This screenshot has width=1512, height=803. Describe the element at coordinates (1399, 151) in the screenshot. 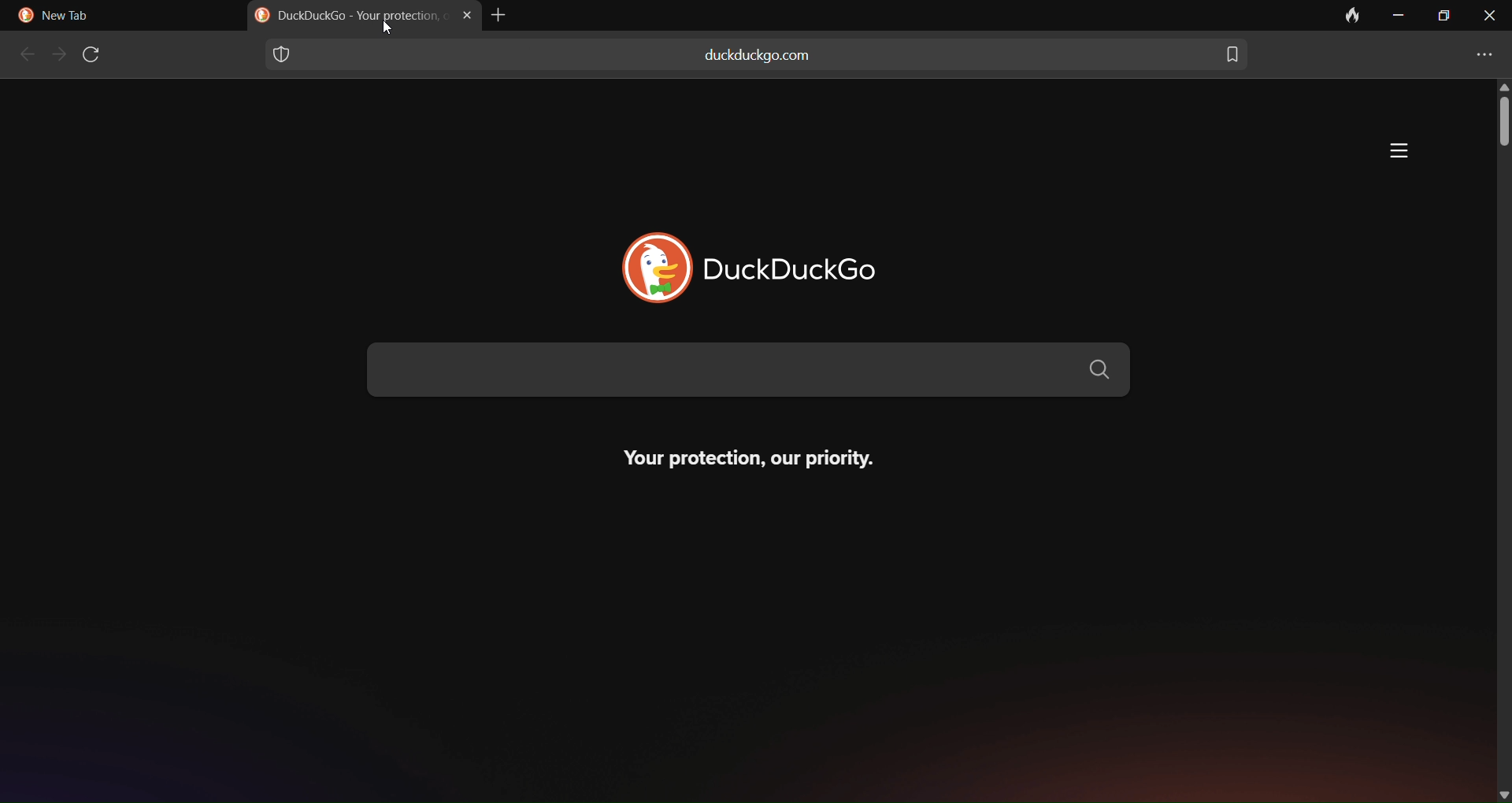

I see `more` at that location.